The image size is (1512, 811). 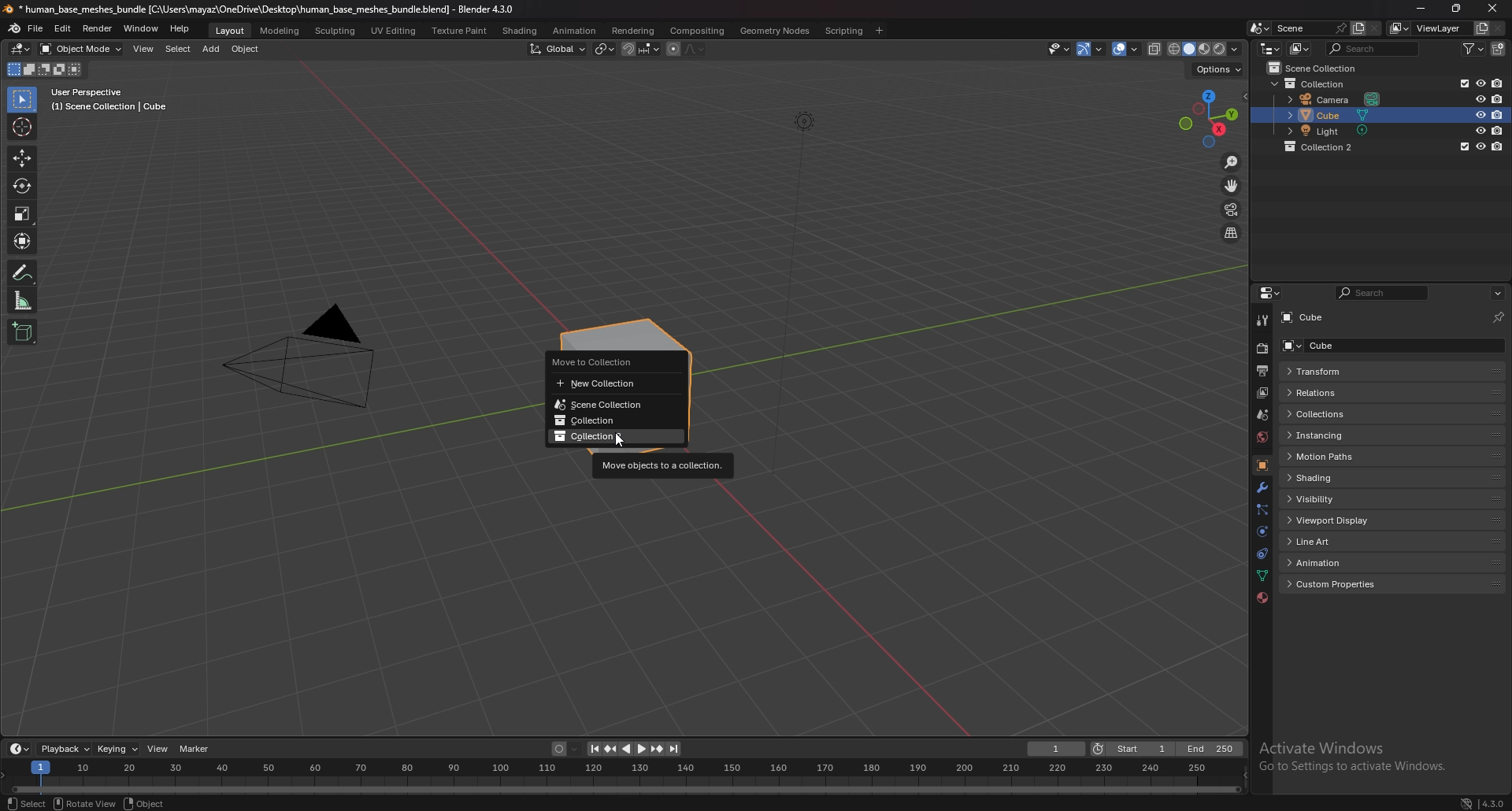 I want to click on keying, so click(x=120, y=749).